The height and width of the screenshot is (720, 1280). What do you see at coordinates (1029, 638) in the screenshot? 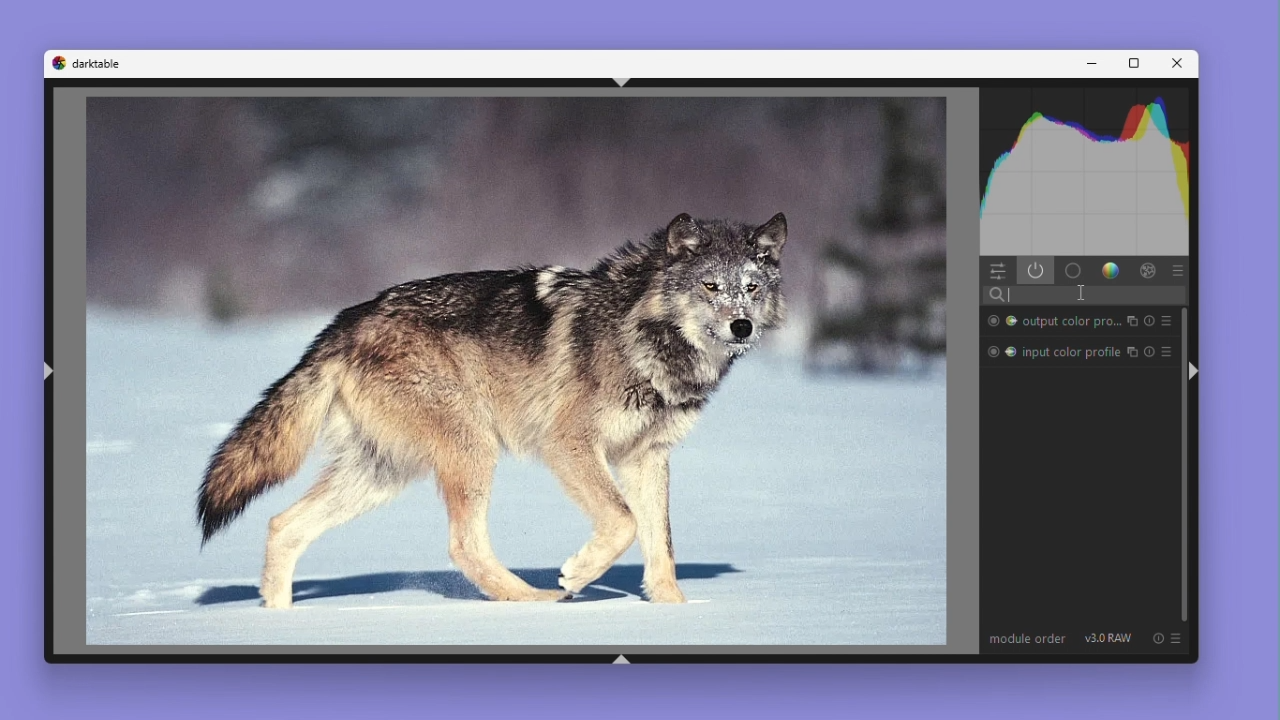
I see `Module order` at bounding box center [1029, 638].